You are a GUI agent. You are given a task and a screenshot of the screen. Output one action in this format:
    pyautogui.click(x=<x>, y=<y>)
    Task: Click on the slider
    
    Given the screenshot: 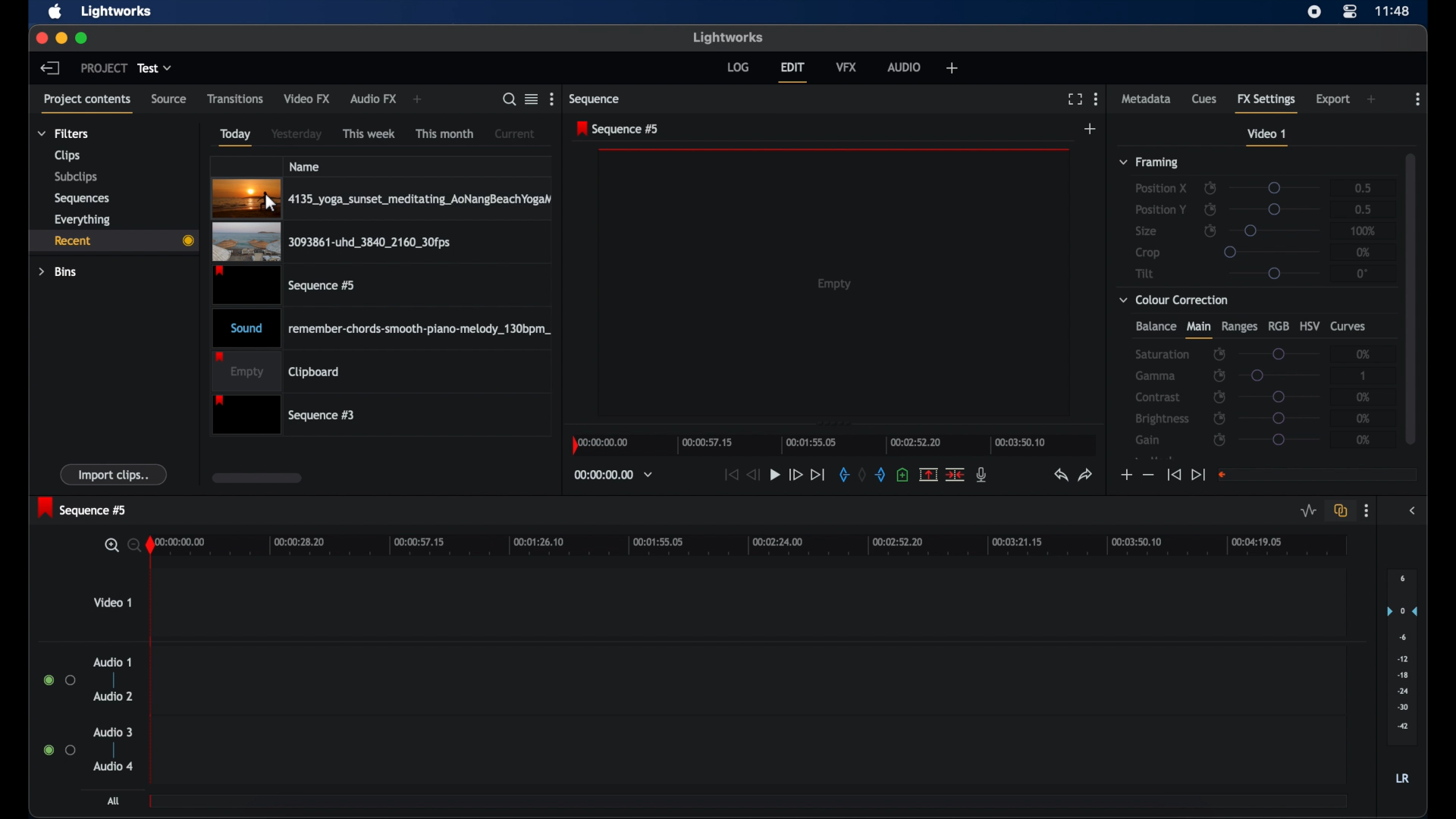 What is the action you would take?
    pyautogui.click(x=1274, y=230)
    